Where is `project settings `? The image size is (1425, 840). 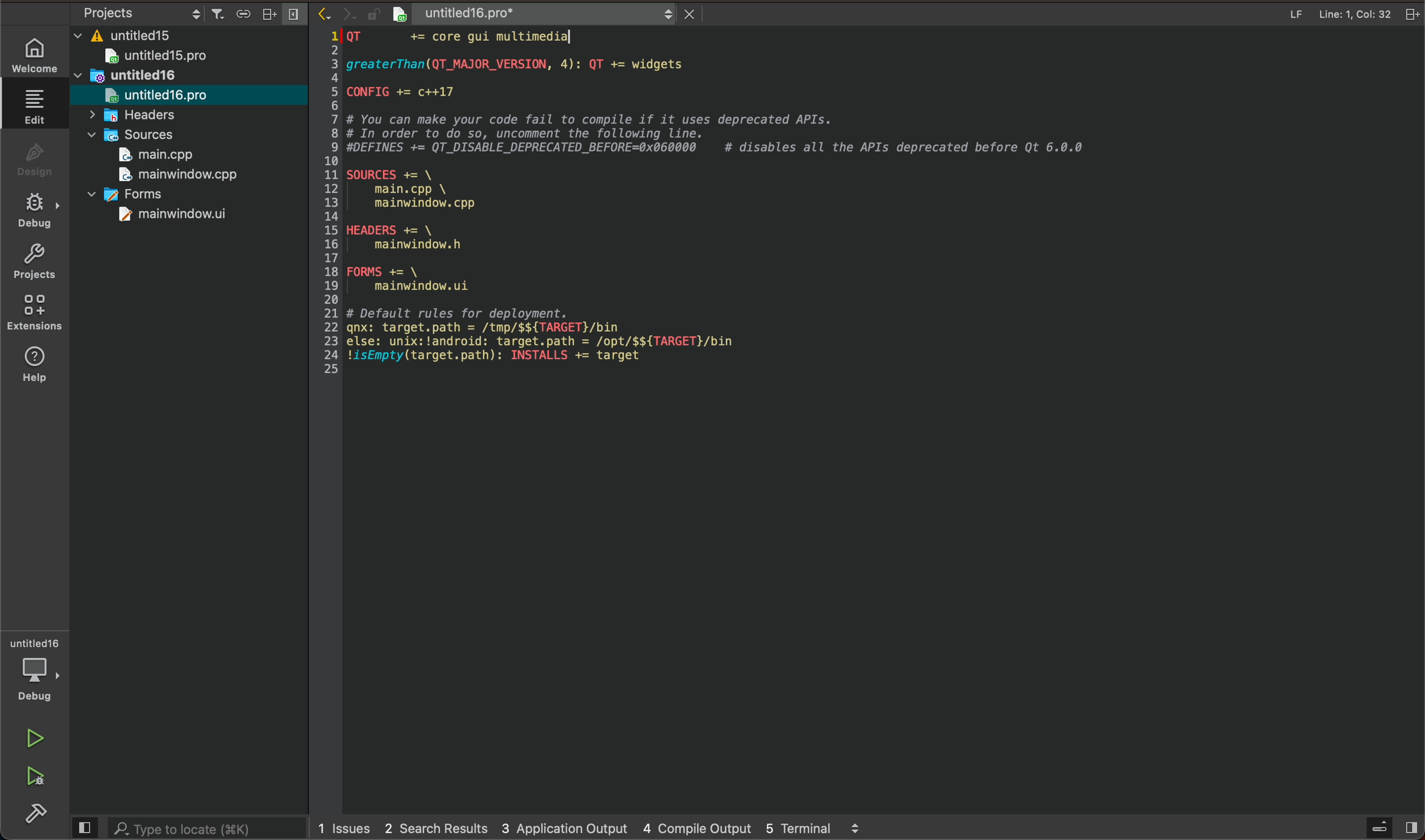 project settings  is located at coordinates (185, 12).